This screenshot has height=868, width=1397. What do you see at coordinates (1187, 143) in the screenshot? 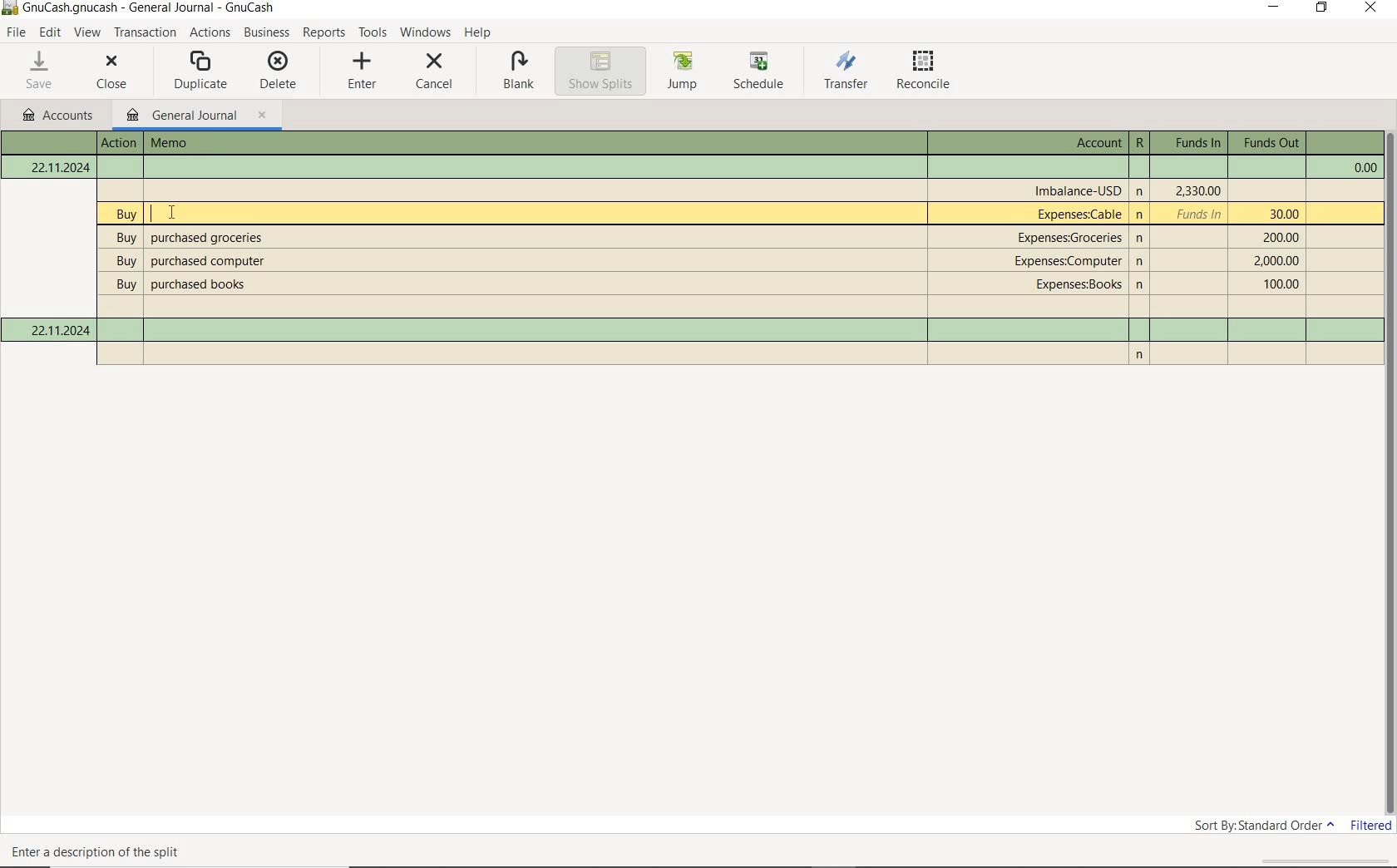
I see `Text` at bounding box center [1187, 143].